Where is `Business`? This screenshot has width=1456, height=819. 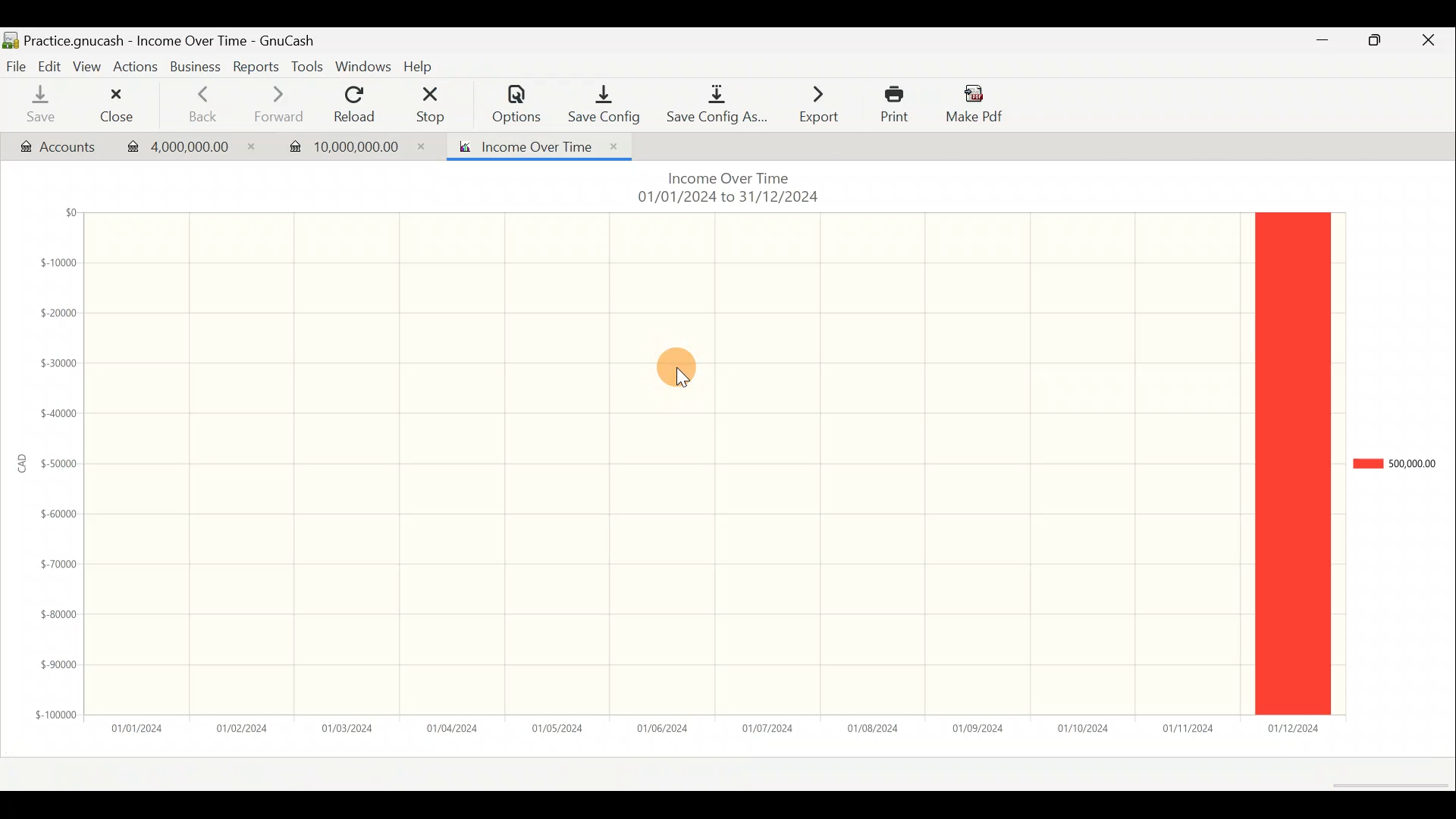
Business is located at coordinates (198, 65).